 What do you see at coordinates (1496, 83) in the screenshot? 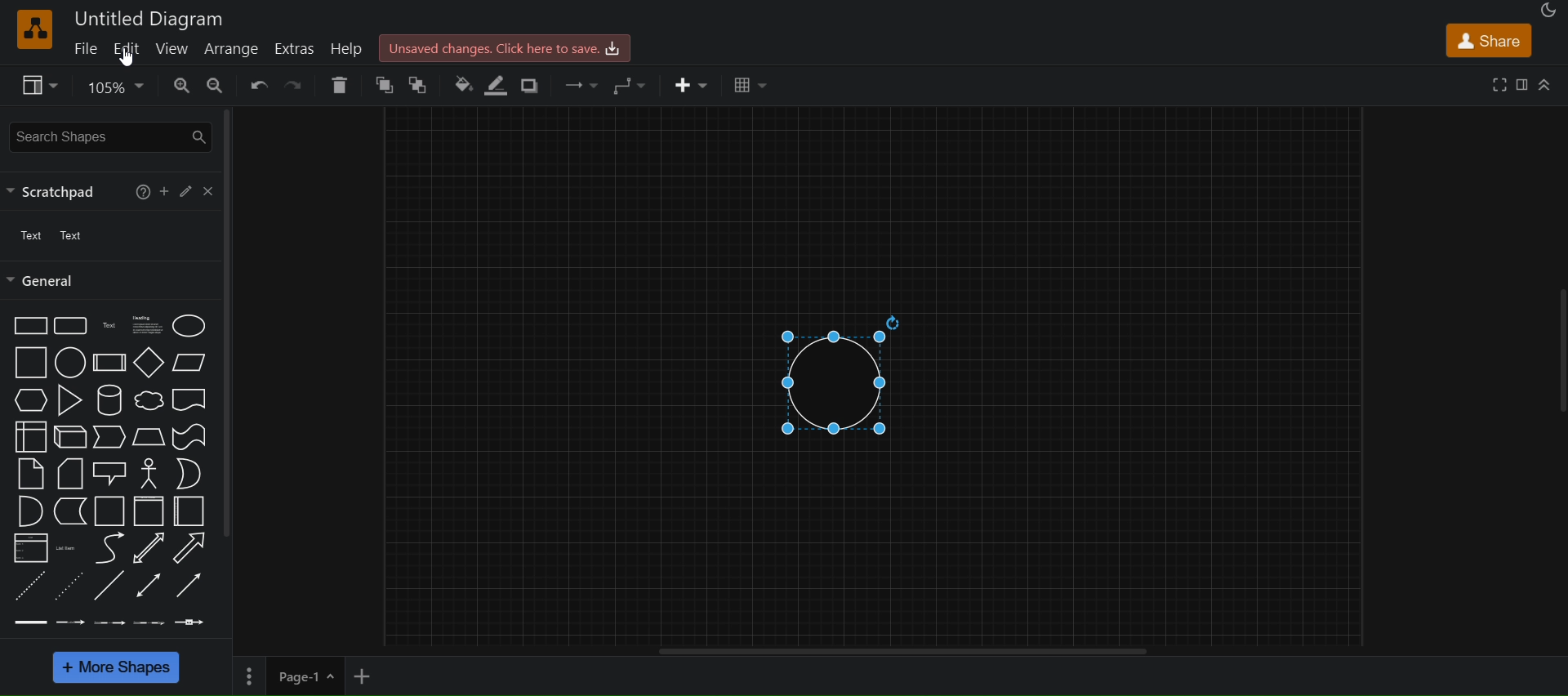
I see `fullscreen` at bounding box center [1496, 83].